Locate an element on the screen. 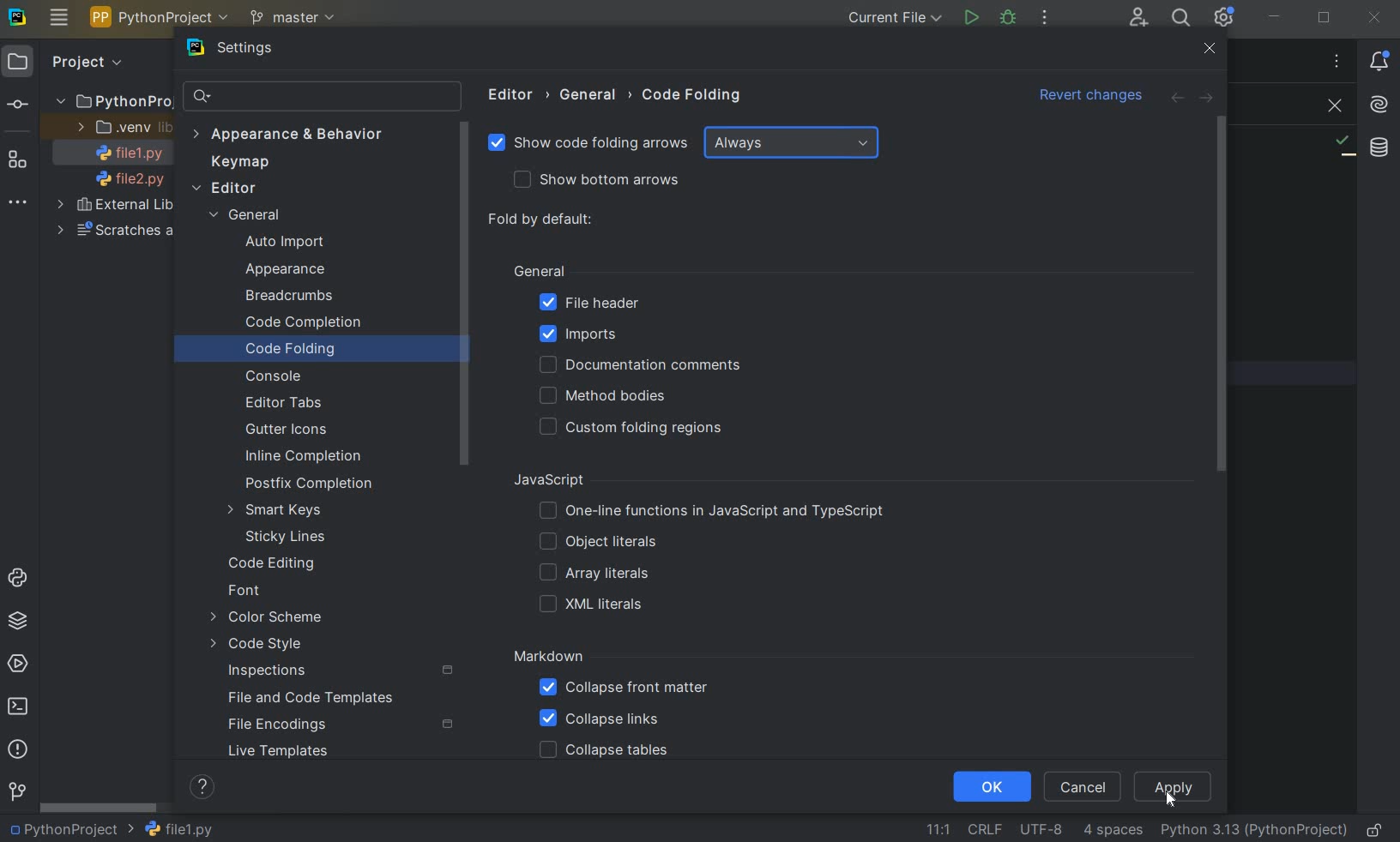 This screenshot has height=842, width=1400. FILE ENCODINGS is located at coordinates (340, 725).